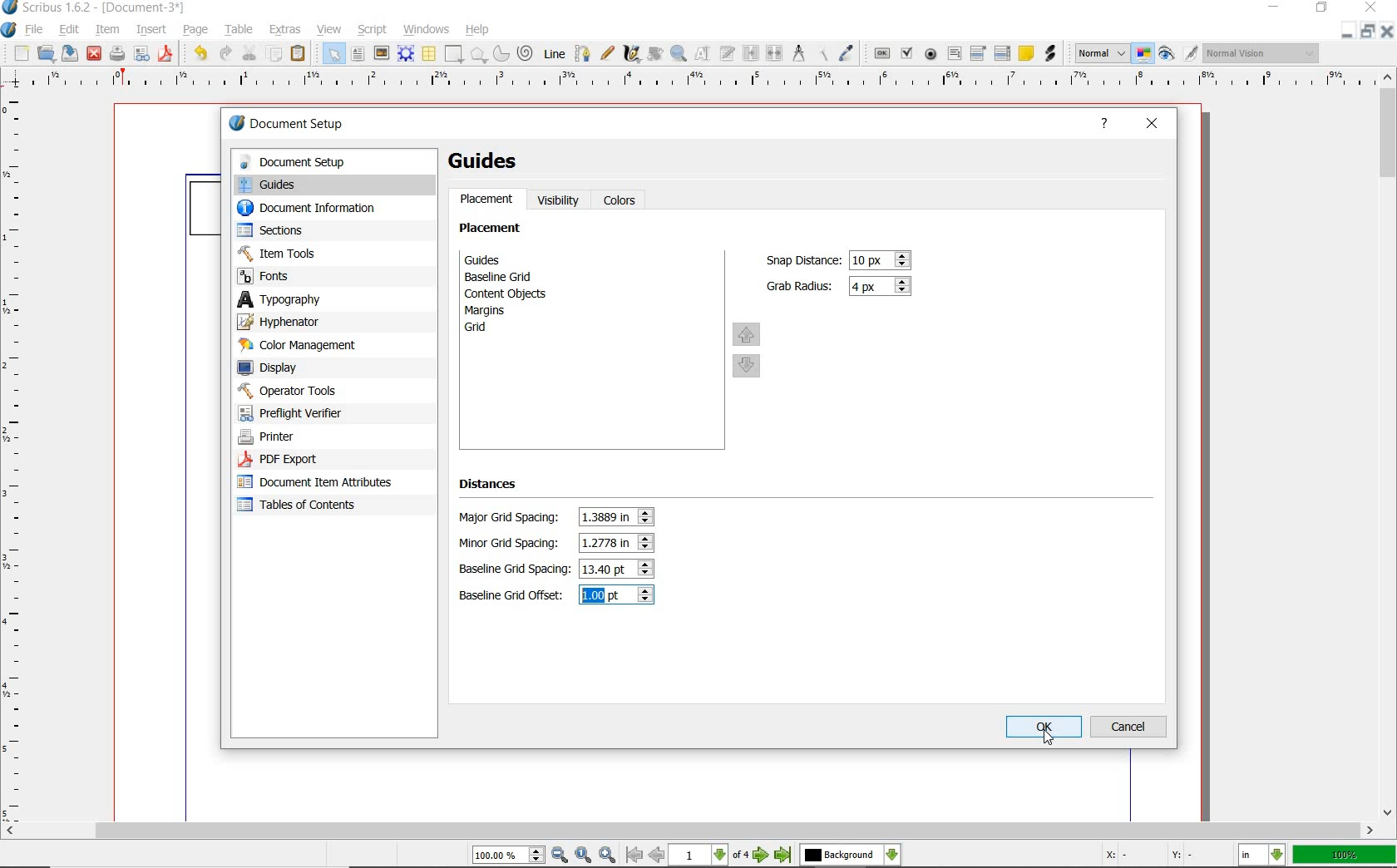 This screenshot has height=868, width=1397. I want to click on go to last page, so click(783, 856).